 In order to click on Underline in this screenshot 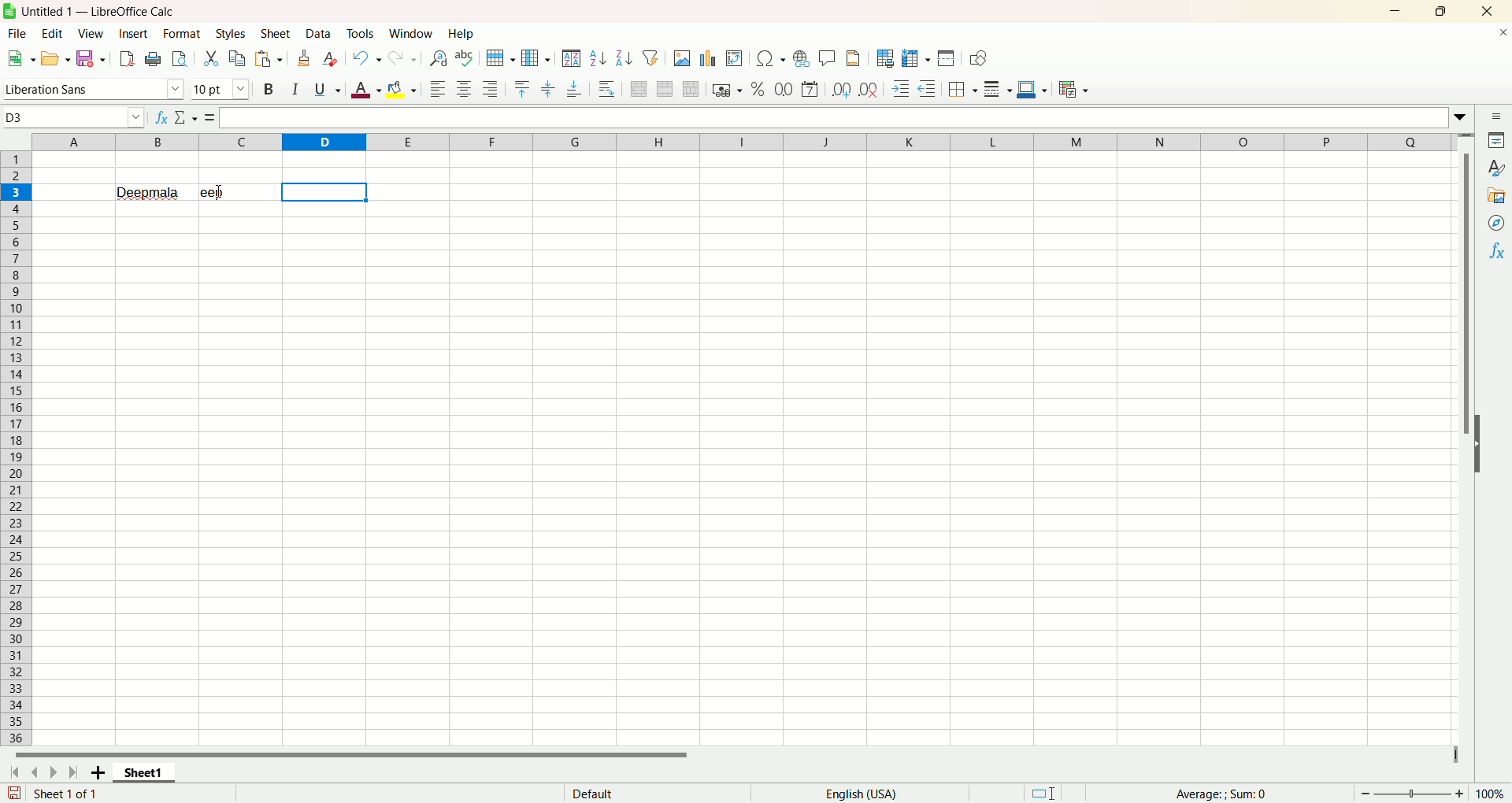, I will do `click(328, 89)`.